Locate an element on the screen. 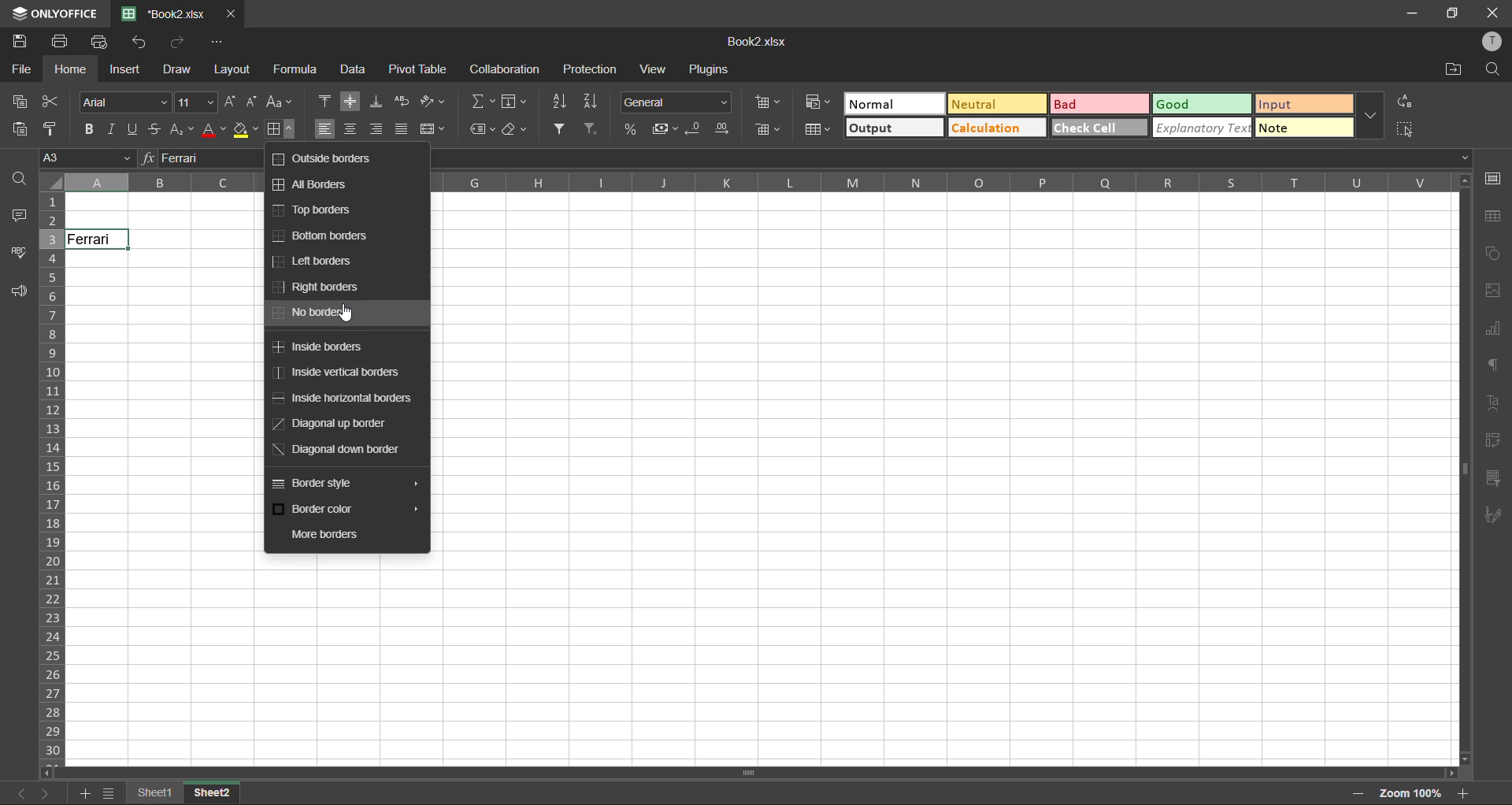  paragraph is located at coordinates (1494, 367).